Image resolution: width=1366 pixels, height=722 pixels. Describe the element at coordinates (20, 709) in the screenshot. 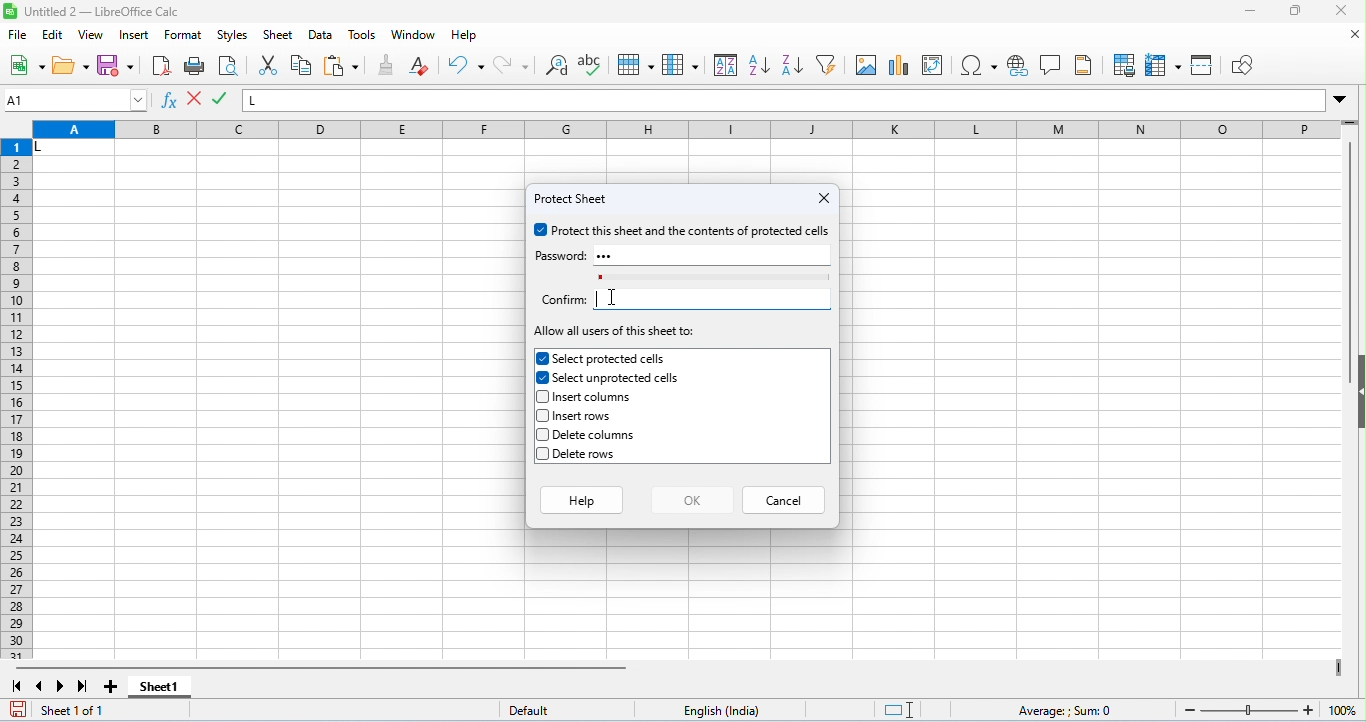

I see `save` at that location.